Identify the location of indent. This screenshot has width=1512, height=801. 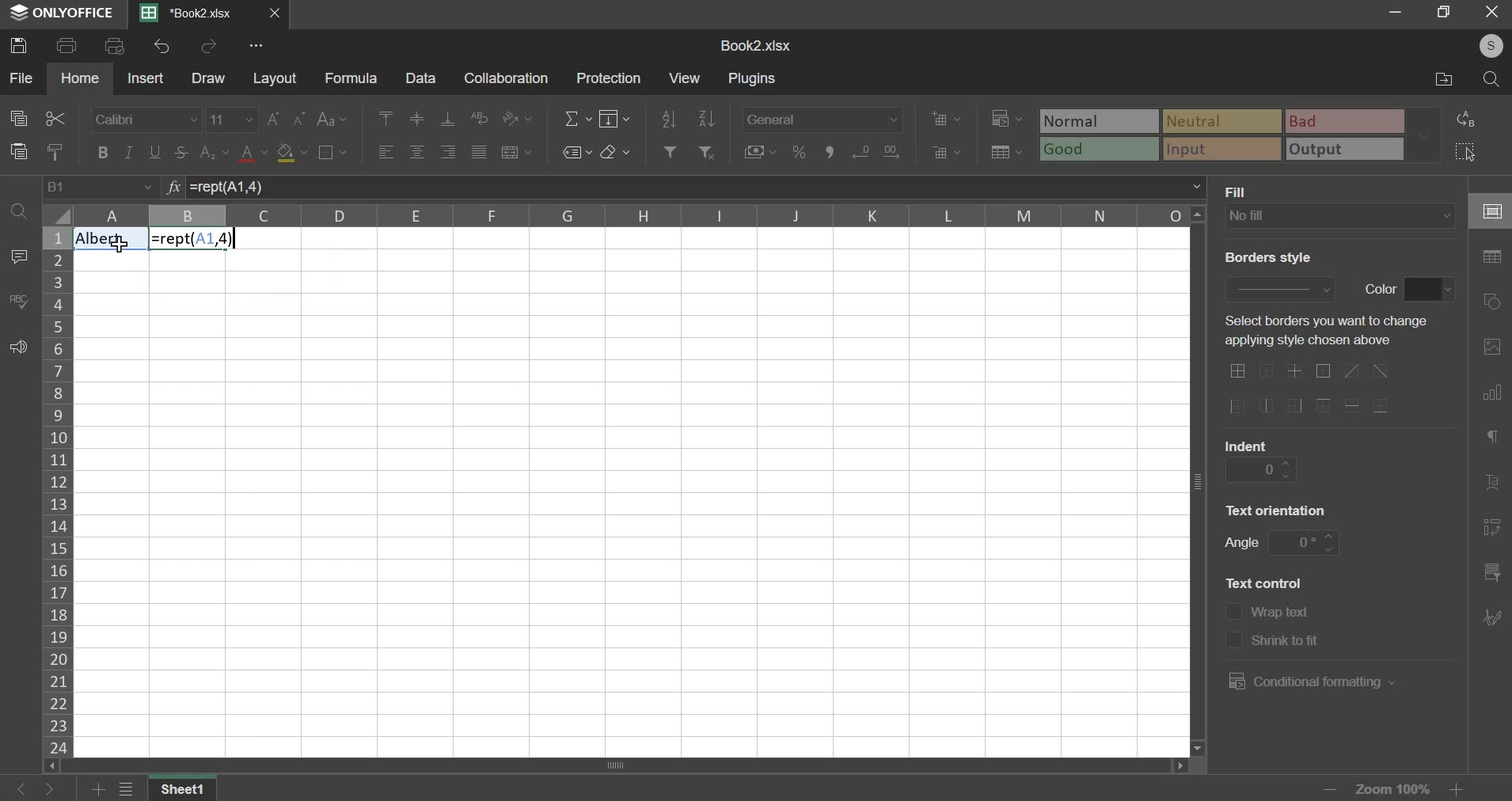
(1257, 469).